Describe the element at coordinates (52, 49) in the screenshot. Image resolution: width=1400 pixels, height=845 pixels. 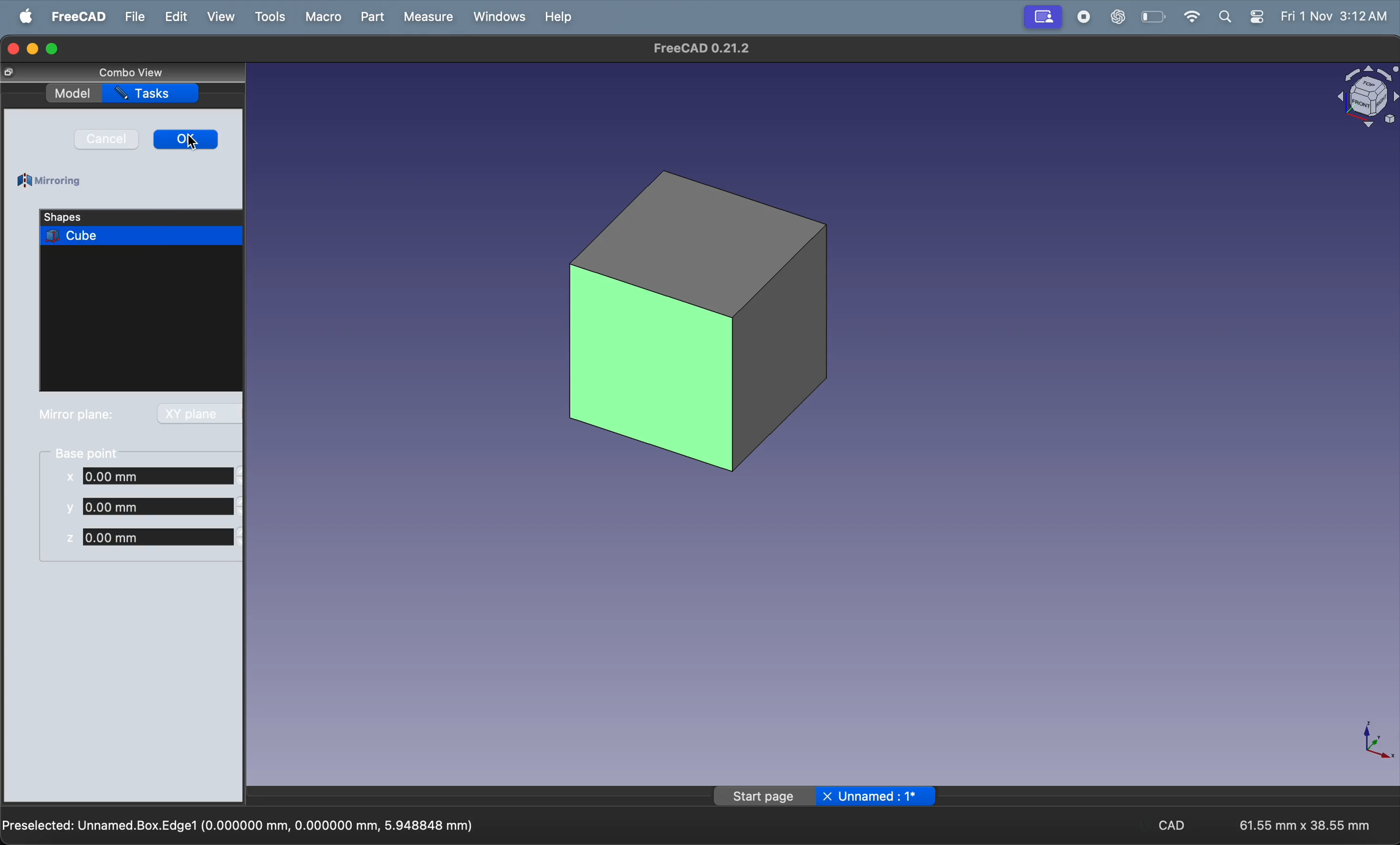
I see `maximize` at that location.